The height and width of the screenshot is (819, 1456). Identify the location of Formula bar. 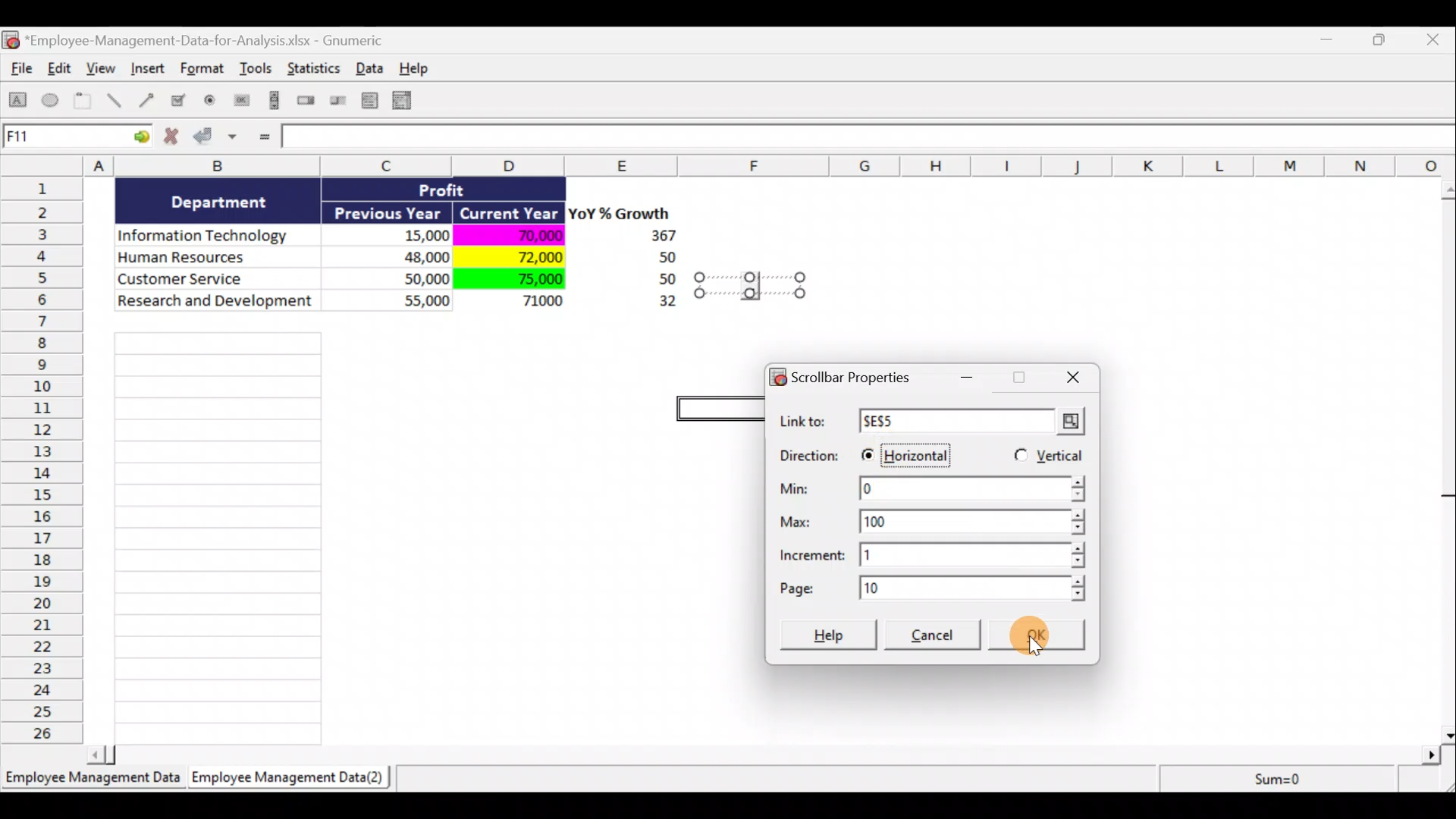
(870, 140).